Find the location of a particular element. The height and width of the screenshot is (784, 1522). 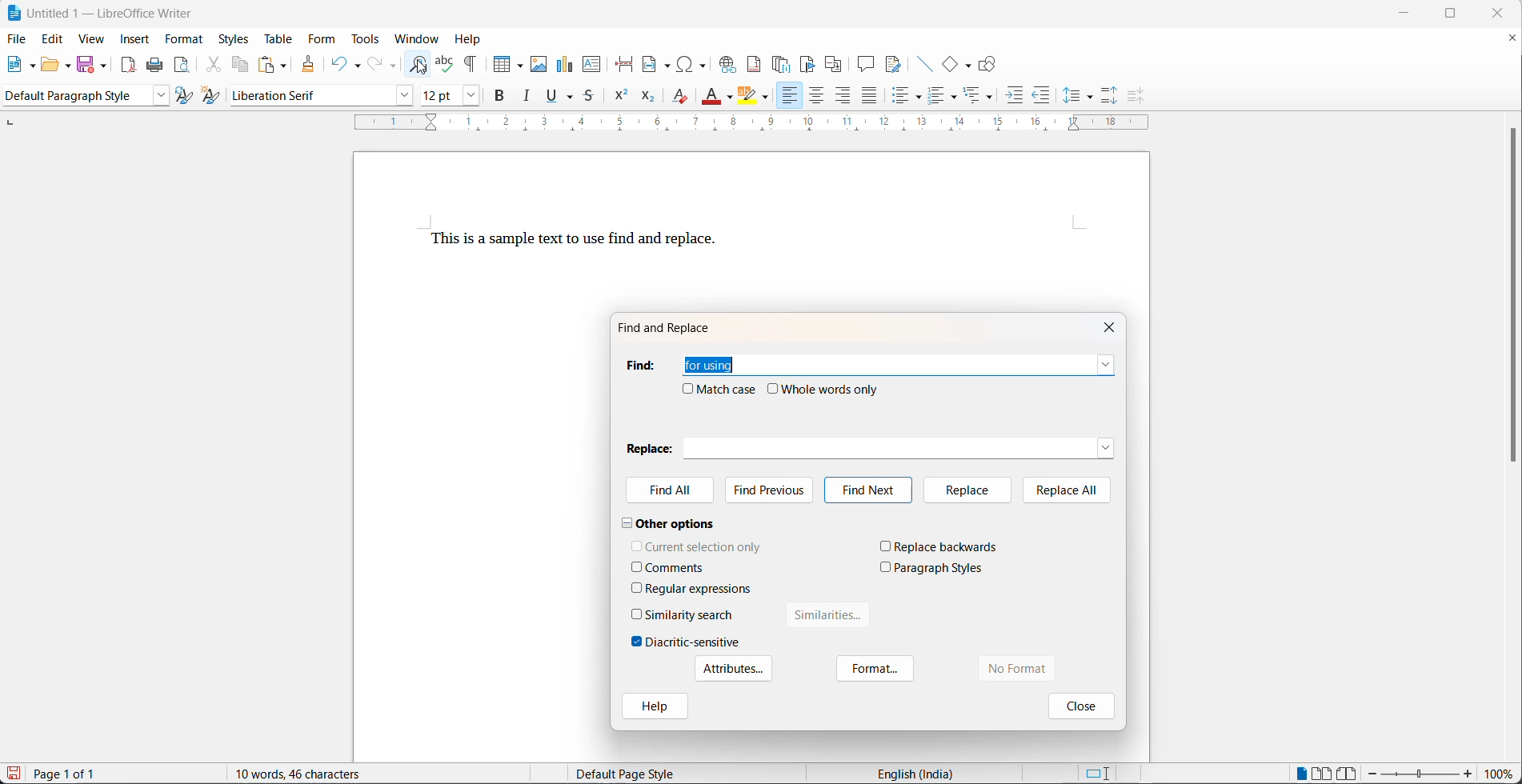

copy is located at coordinates (242, 64).